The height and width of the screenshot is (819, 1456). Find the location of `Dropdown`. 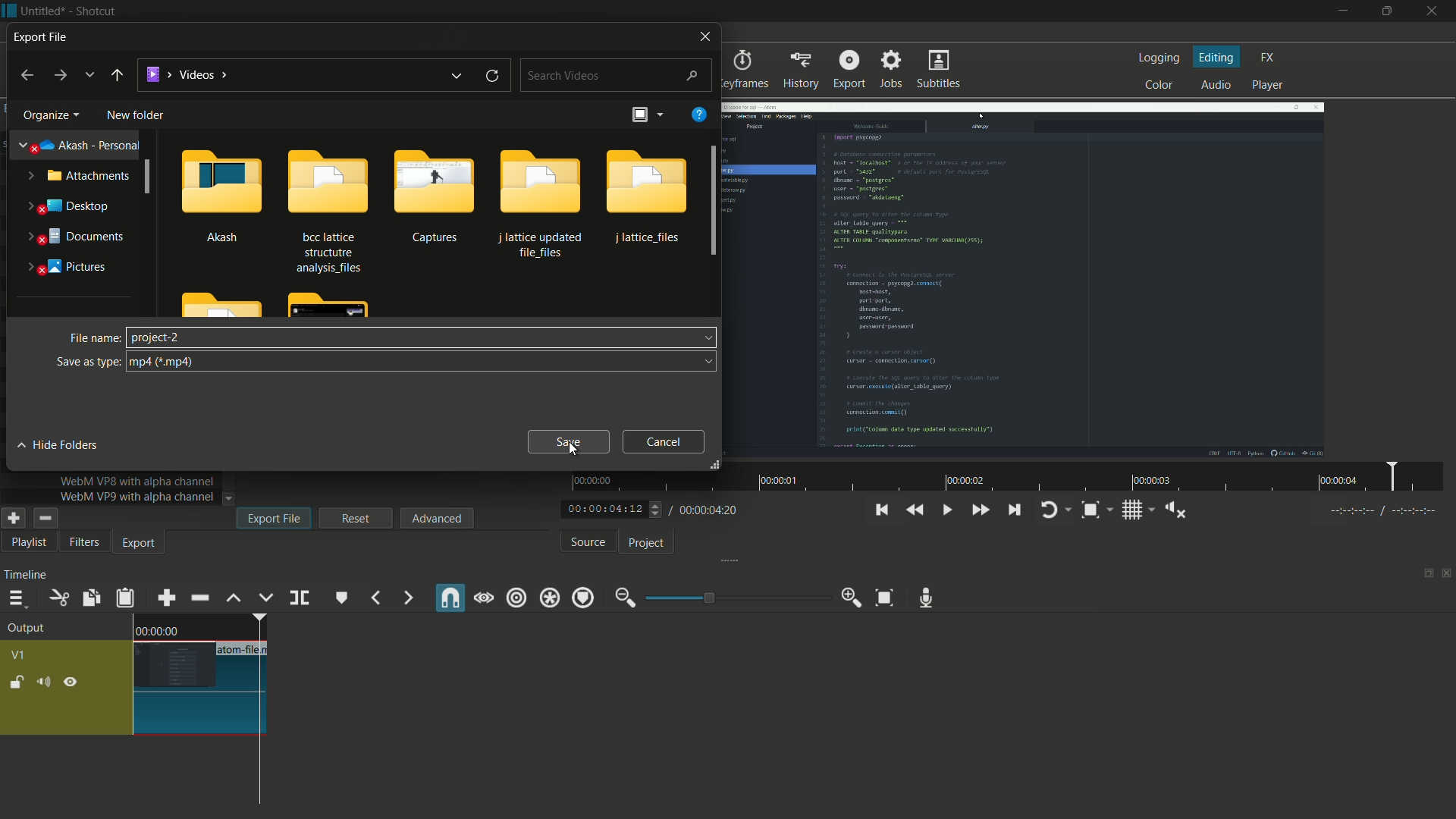

Dropdown is located at coordinates (708, 361).